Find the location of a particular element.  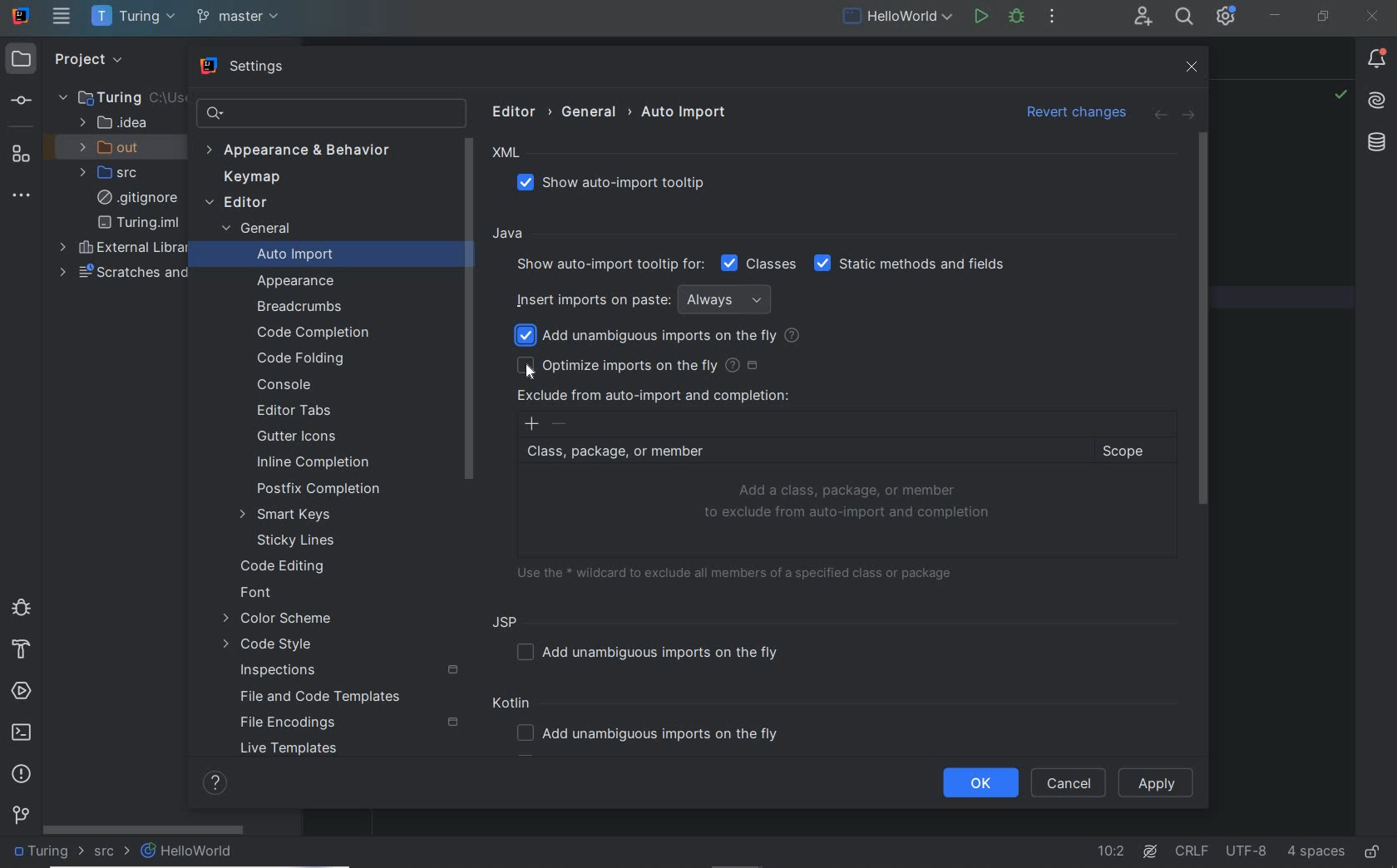

Pointer is located at coordinates (531, 375).